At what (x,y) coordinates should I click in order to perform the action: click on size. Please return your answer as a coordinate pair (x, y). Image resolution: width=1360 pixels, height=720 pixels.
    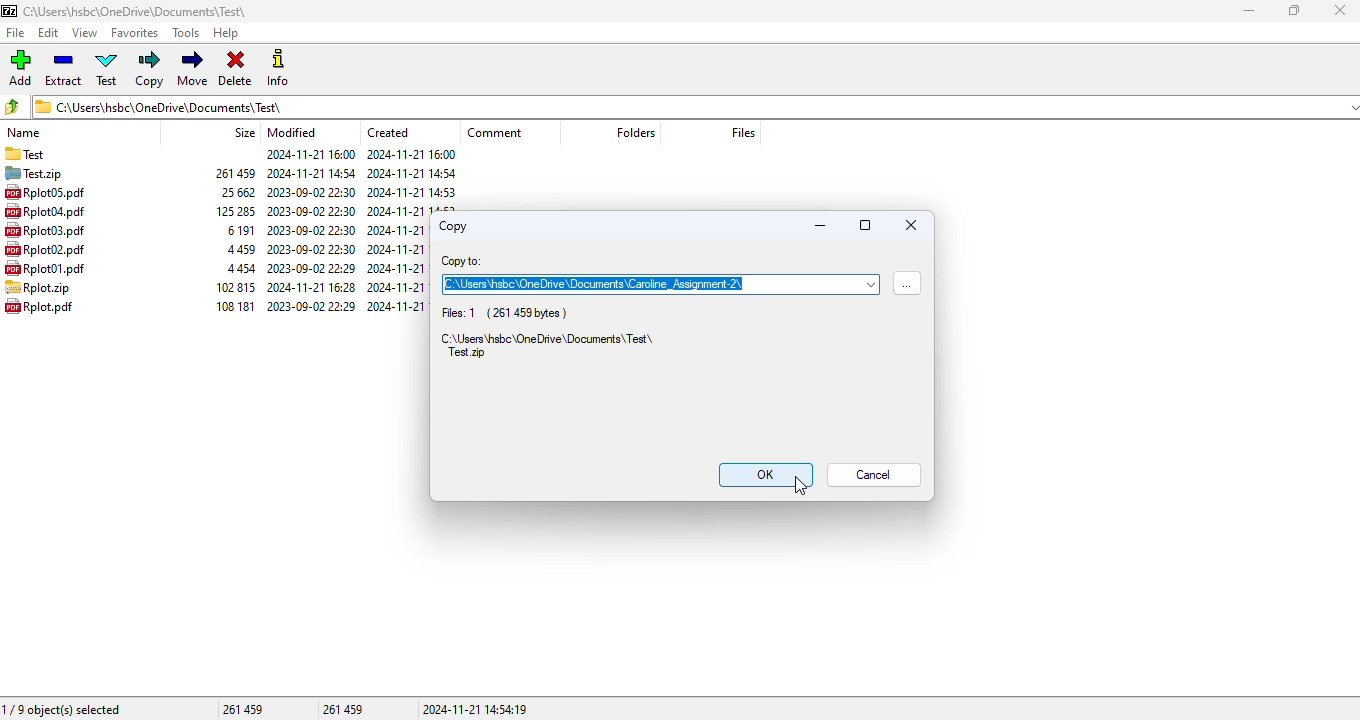
    Looking at the image, I should click on (246, 132).